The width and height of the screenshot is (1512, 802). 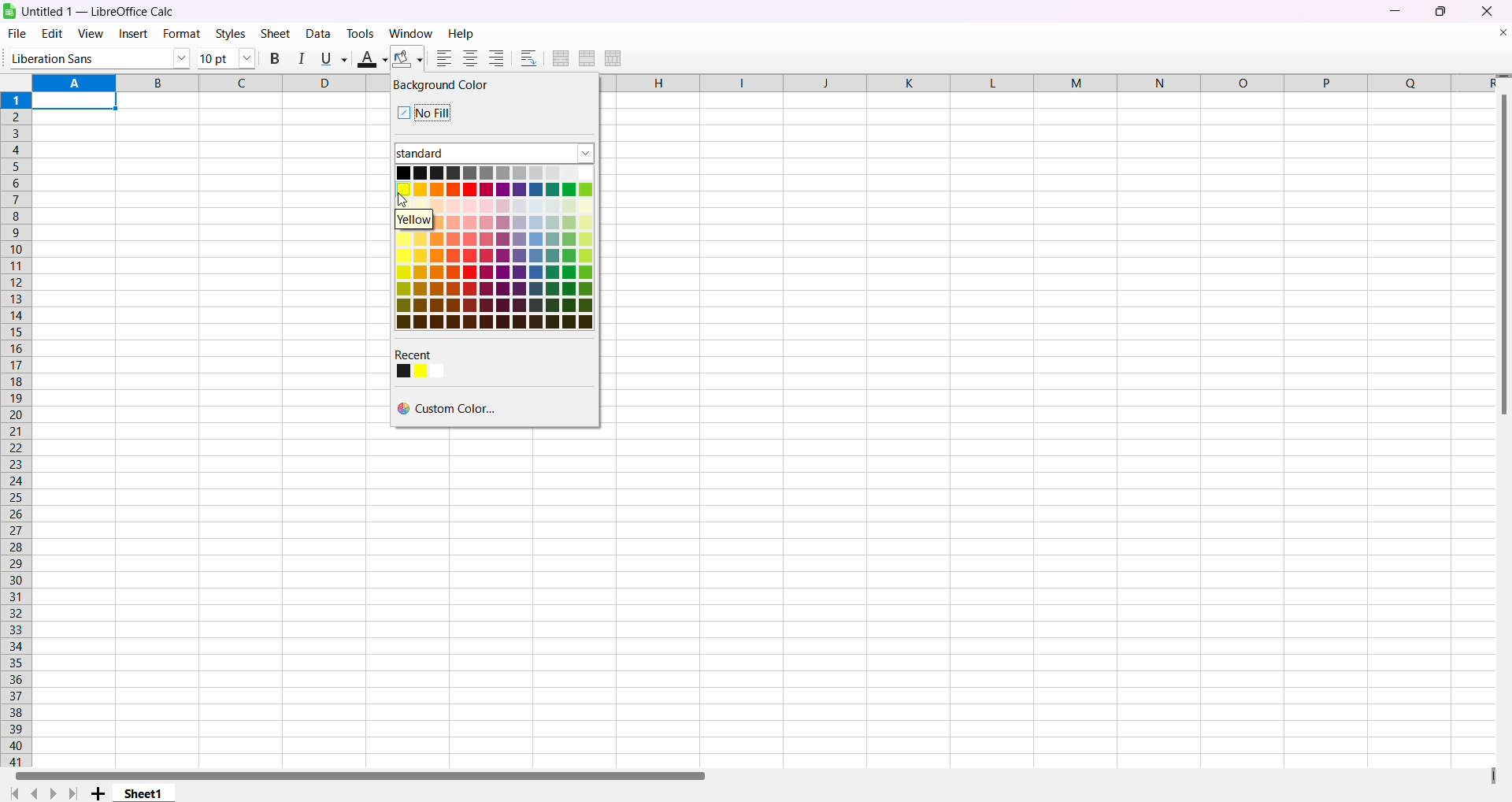 I want to click on sheet, so click(x=277, y=35).